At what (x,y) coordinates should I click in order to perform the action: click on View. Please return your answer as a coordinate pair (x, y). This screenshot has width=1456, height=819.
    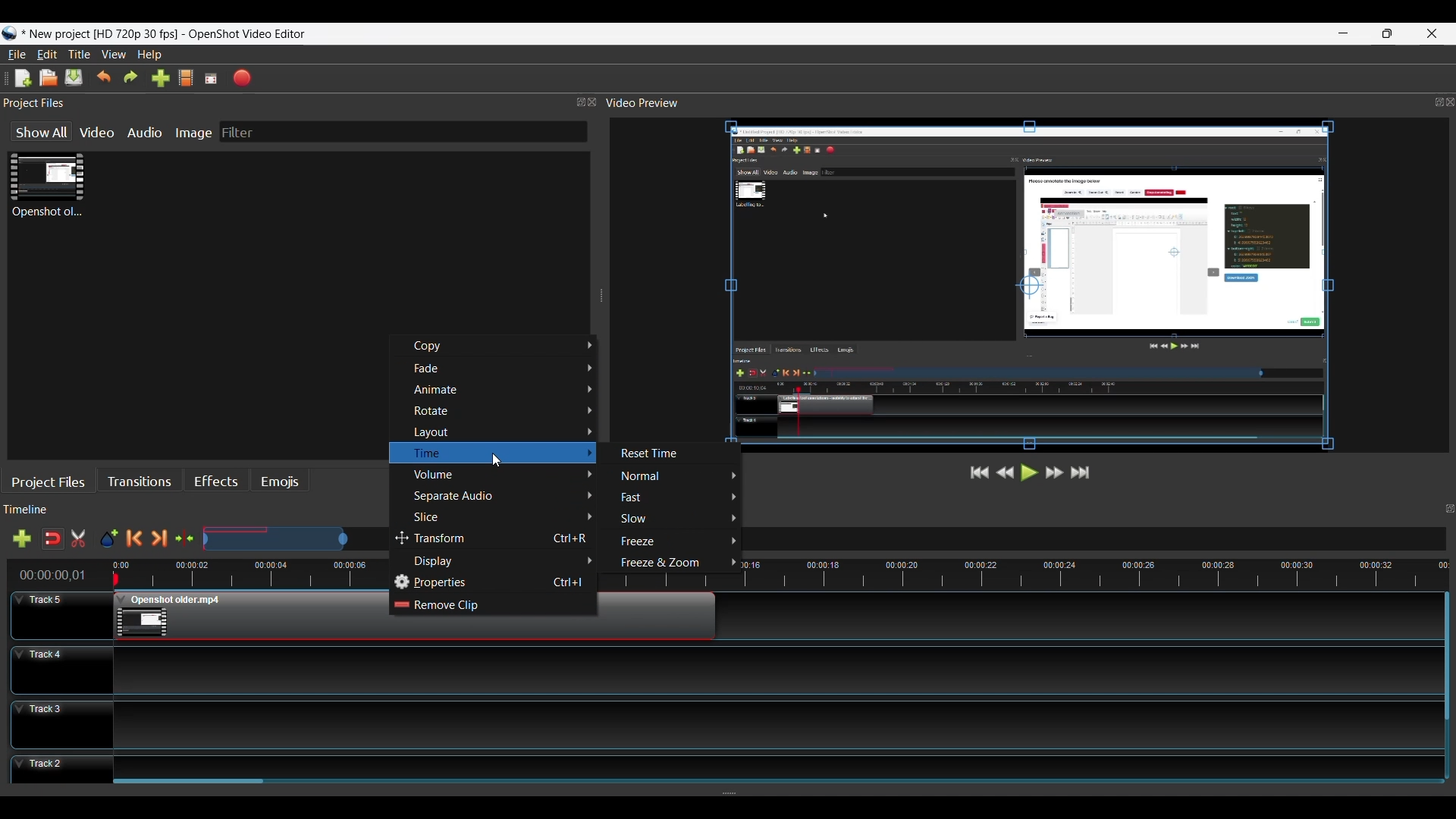
    Looking at the image, I should click on (113, 55).